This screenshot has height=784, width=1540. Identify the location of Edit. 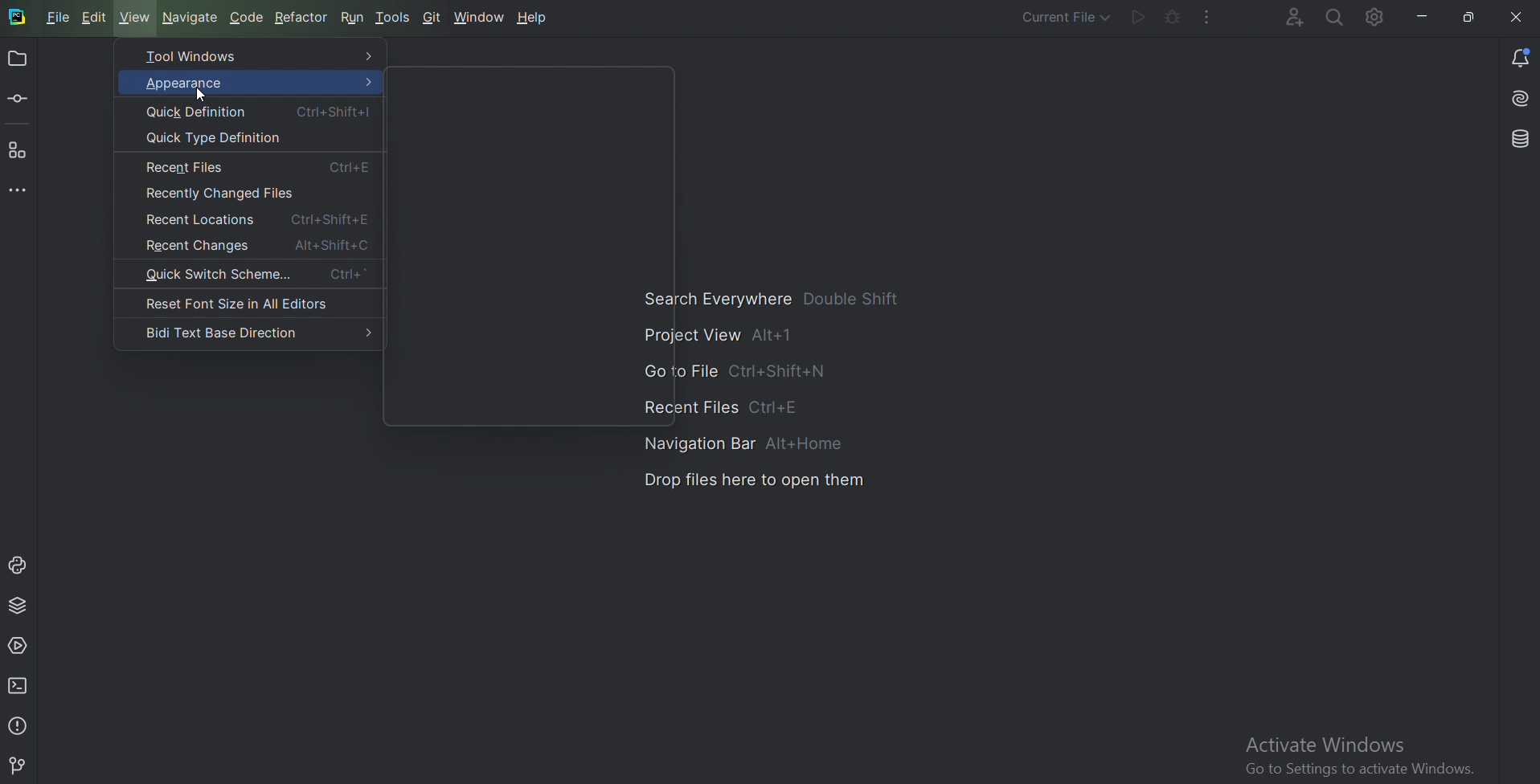
(93, 16).